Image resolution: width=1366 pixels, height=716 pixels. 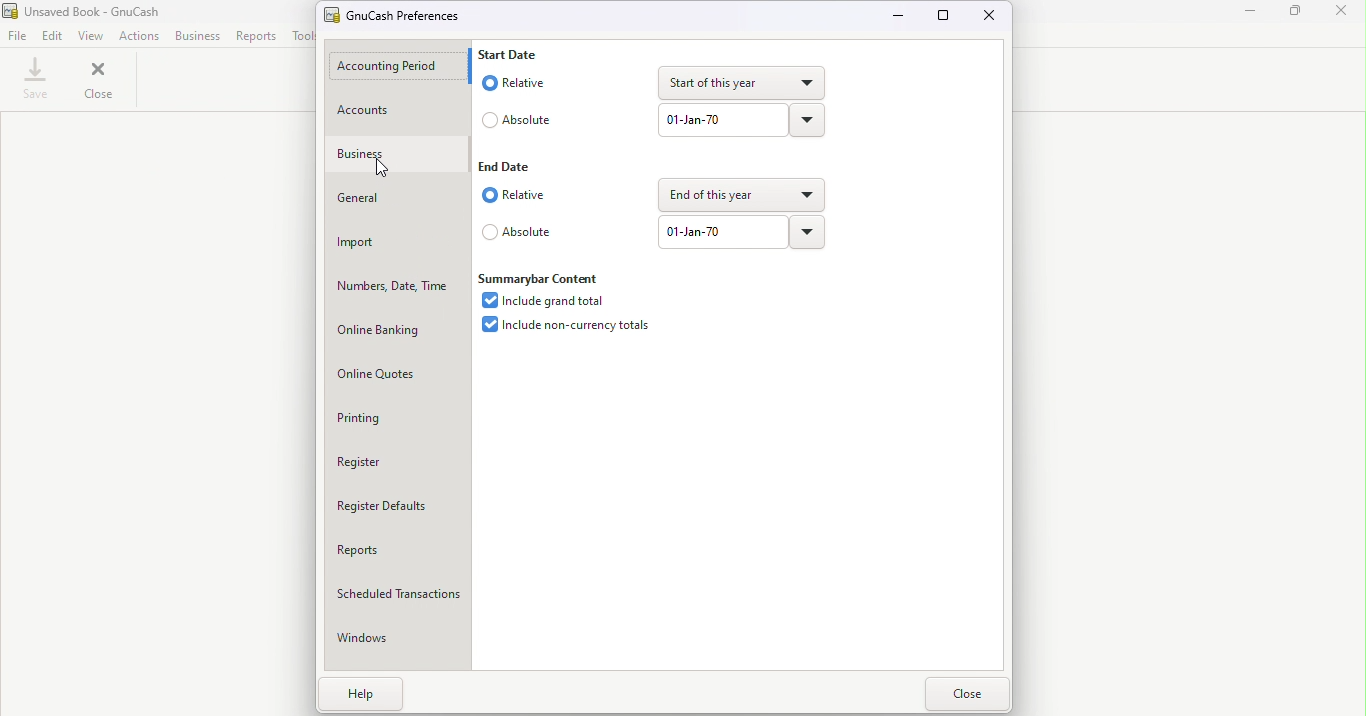 I want to click on Drop down, so click(x=808, y=120).